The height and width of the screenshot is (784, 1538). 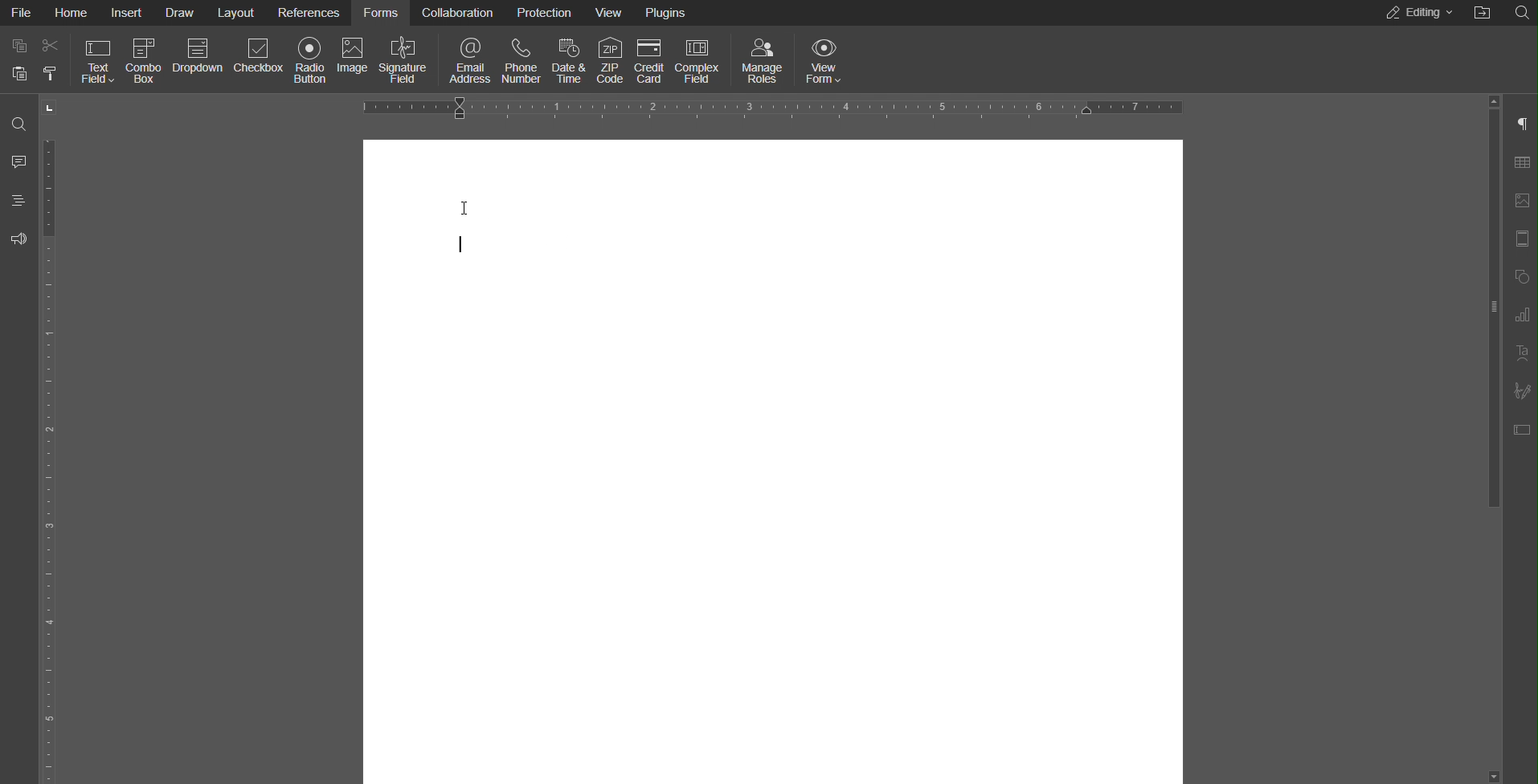 What do you see at coordinates (24, 14) in the screenshot?
I see `File ` at bounding box center [24, 14].